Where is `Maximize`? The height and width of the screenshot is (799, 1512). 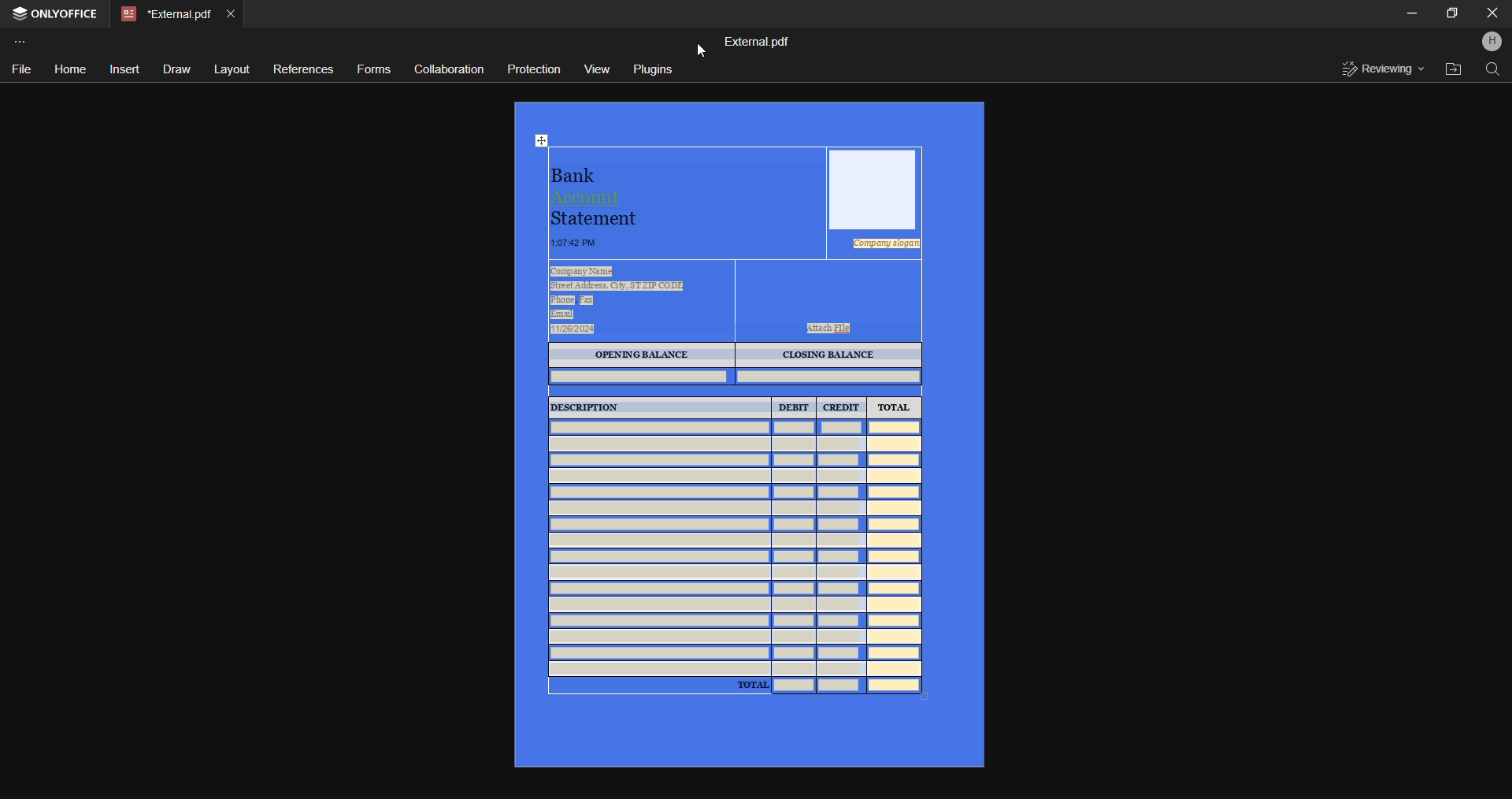
Maximize is located at coordinates (1451, 13).